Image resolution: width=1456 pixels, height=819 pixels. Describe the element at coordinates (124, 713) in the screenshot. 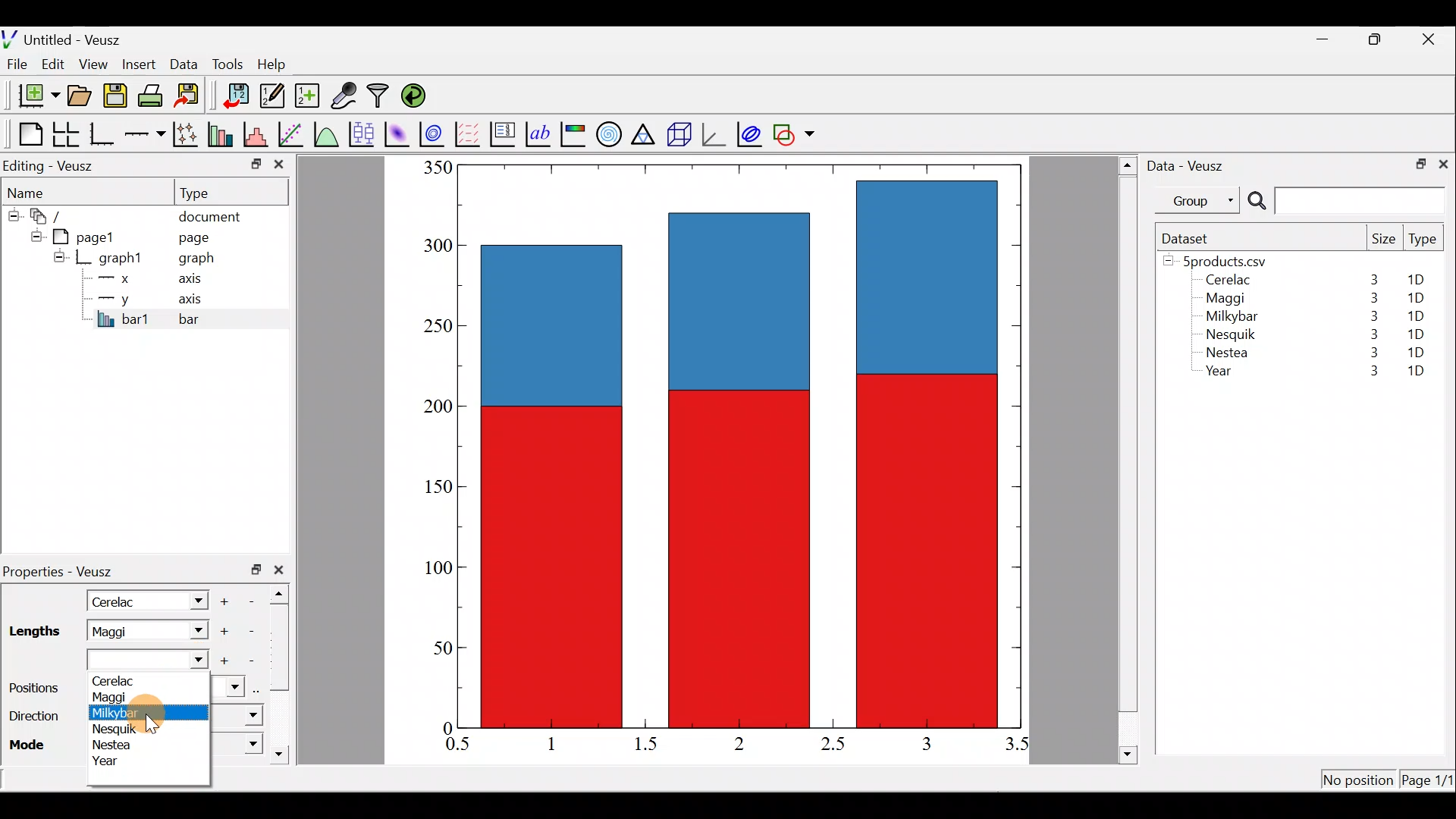

I see `Milkybar` at that location.